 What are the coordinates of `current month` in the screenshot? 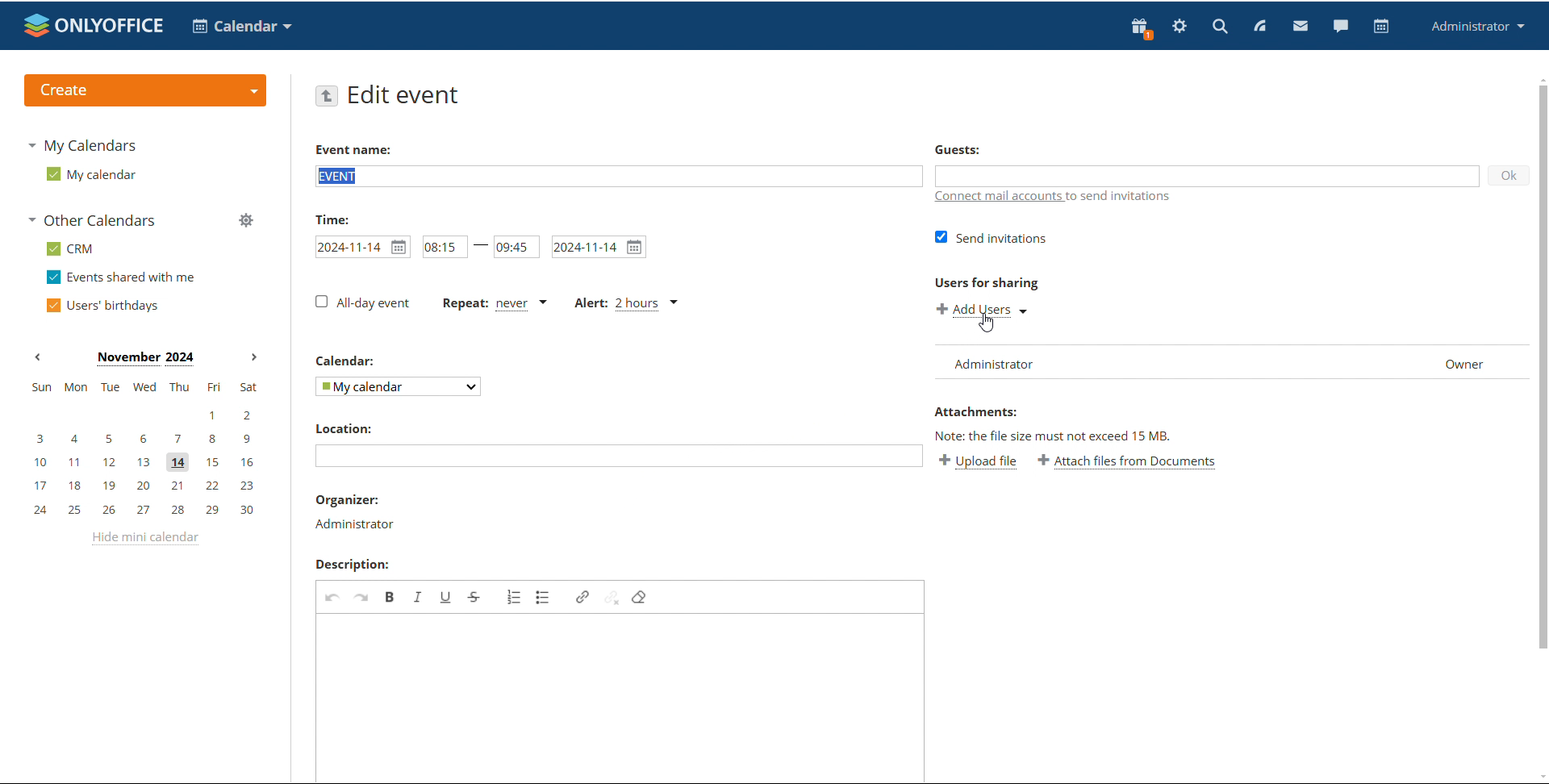 It's located at (144, 359).